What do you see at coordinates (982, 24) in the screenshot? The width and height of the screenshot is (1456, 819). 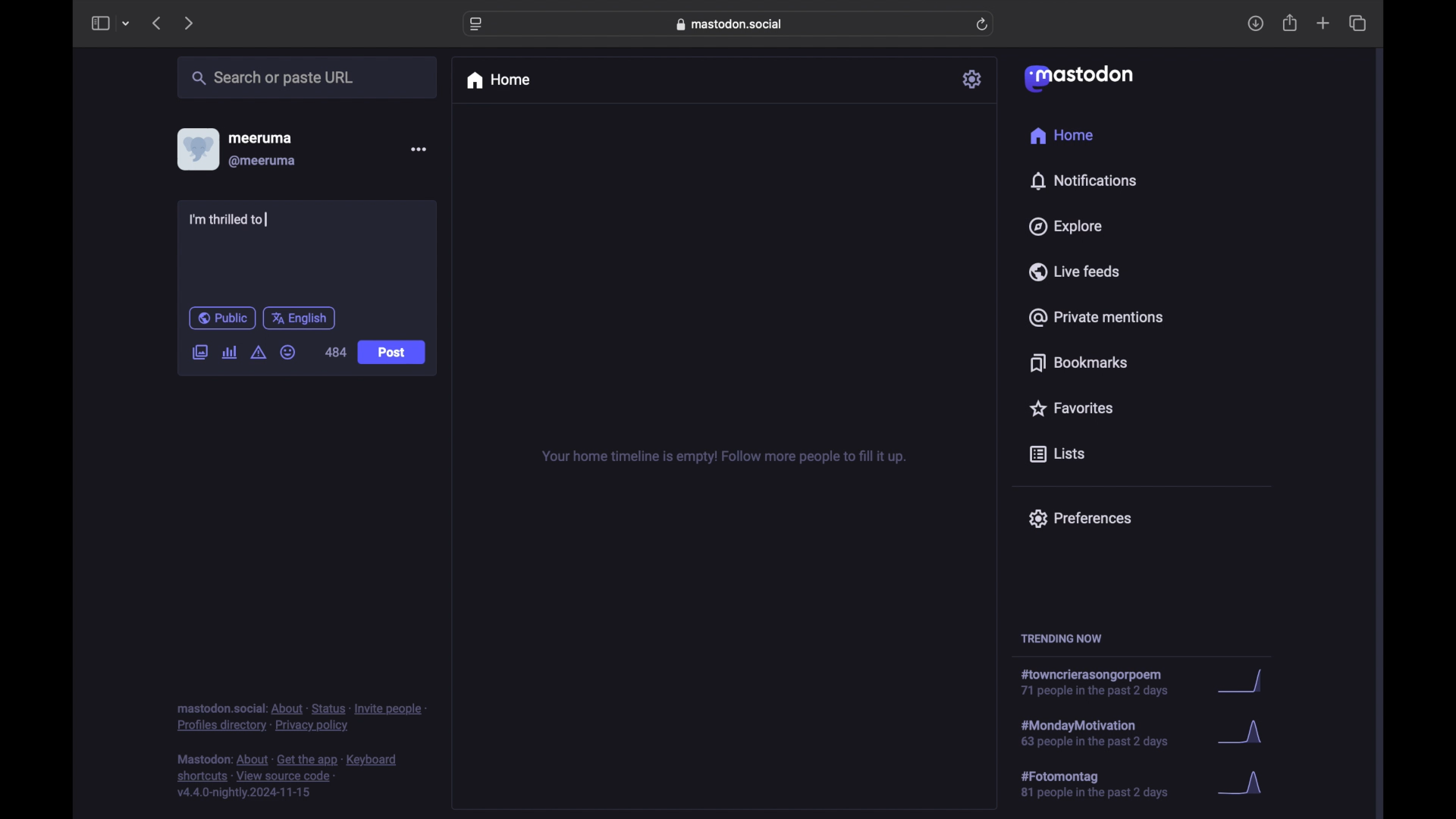 I see `refresh` at bounding box center [982, 24].